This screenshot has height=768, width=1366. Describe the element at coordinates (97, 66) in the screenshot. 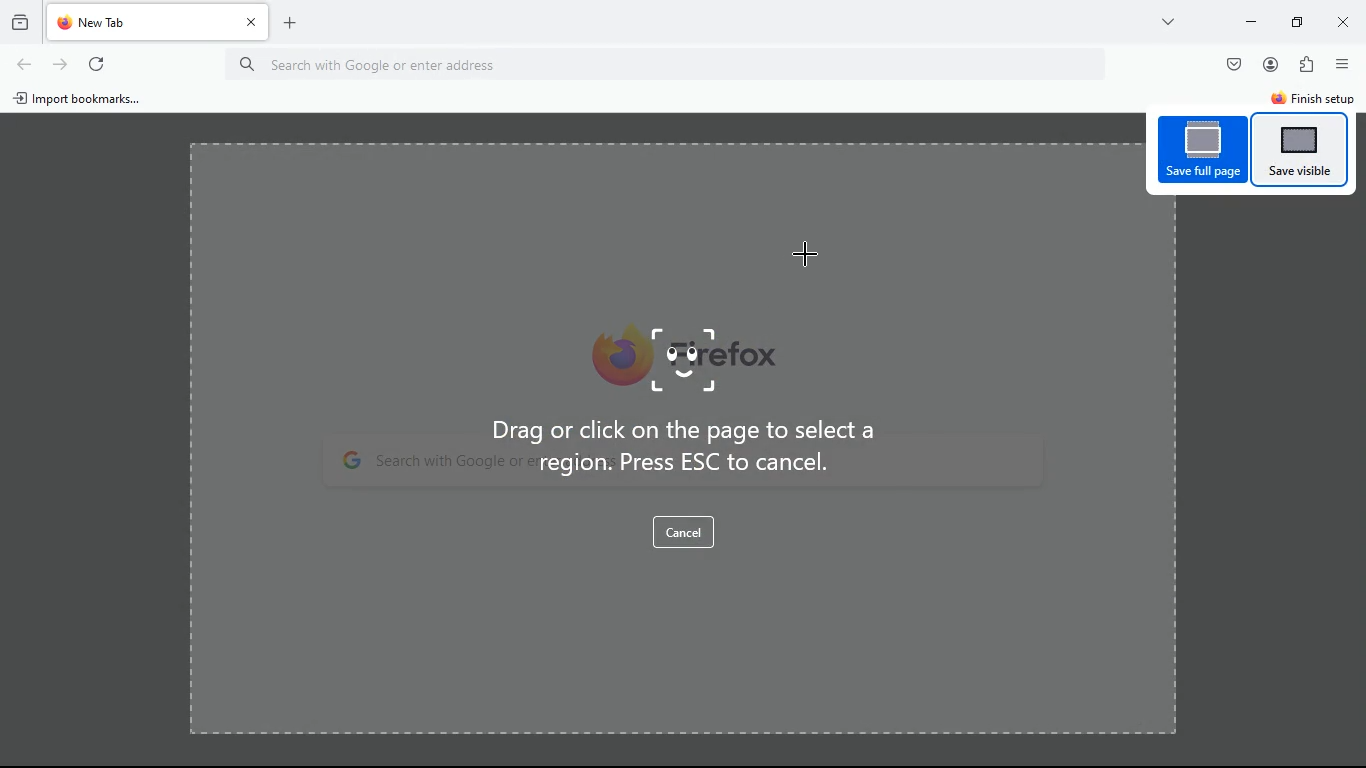

I see `refresh` at that location.